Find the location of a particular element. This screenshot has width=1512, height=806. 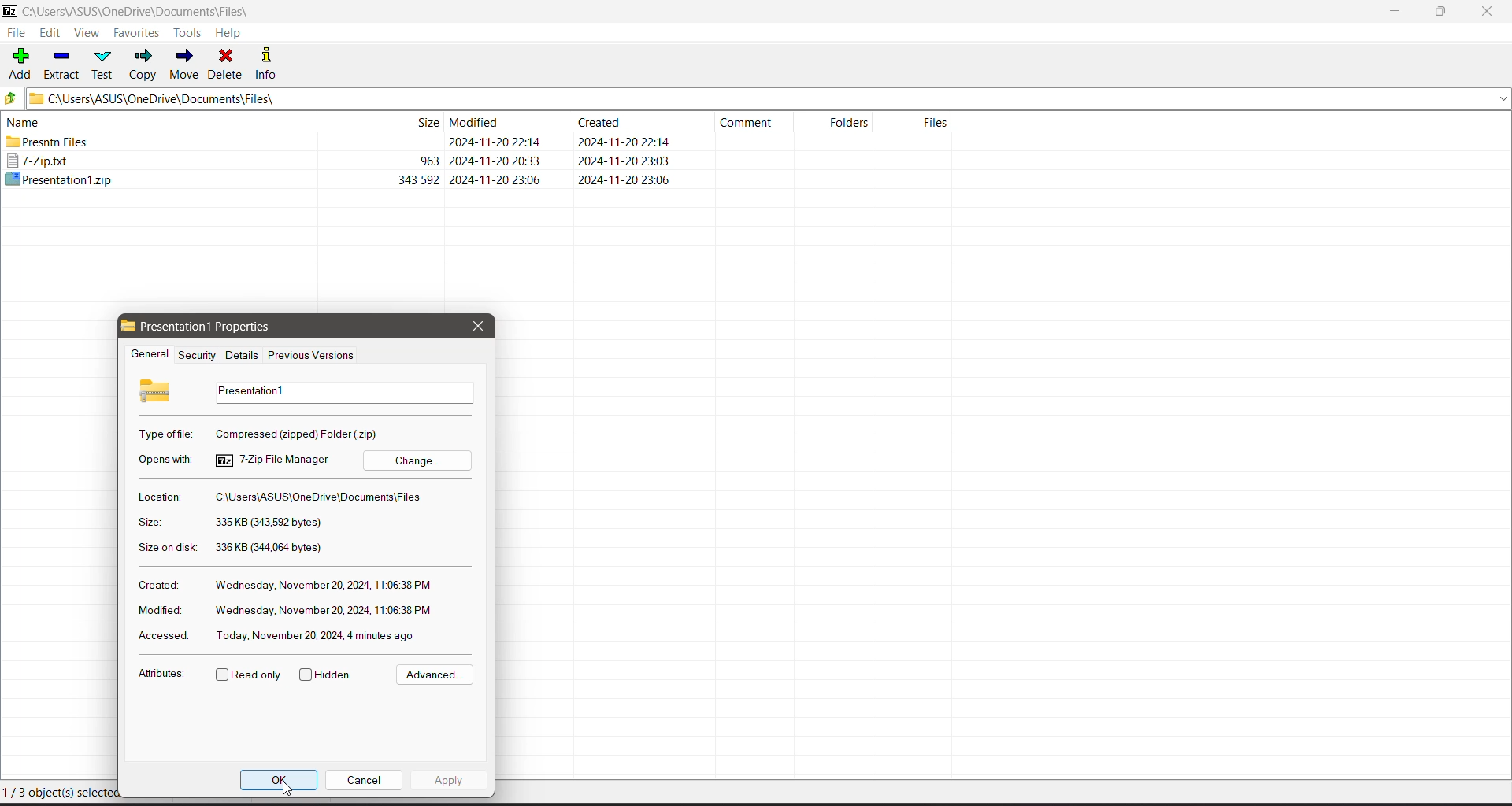

Accessed is located at coordinates (161, 637).